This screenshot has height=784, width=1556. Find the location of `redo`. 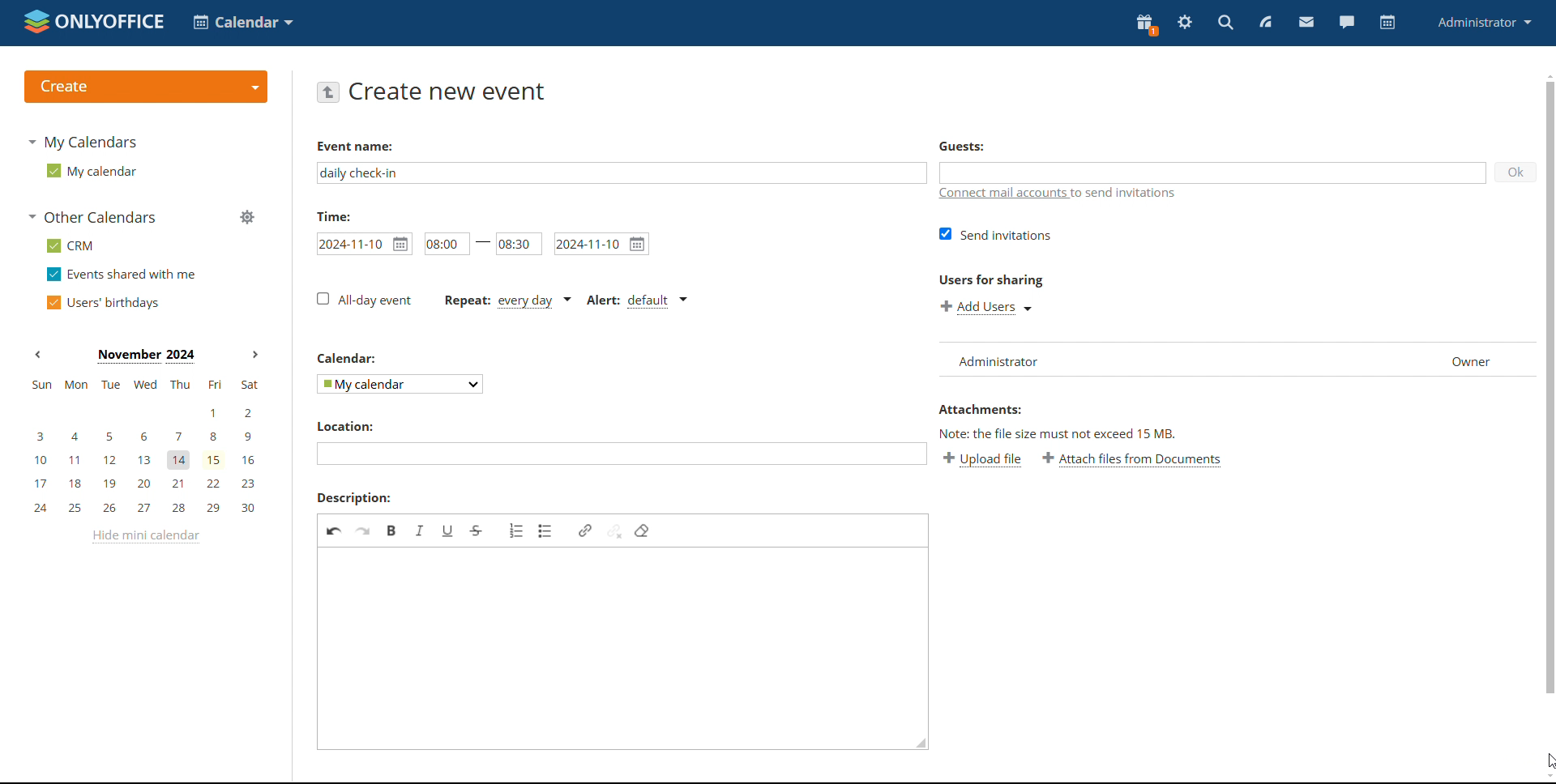

redo is located at coordinates (364, 530).